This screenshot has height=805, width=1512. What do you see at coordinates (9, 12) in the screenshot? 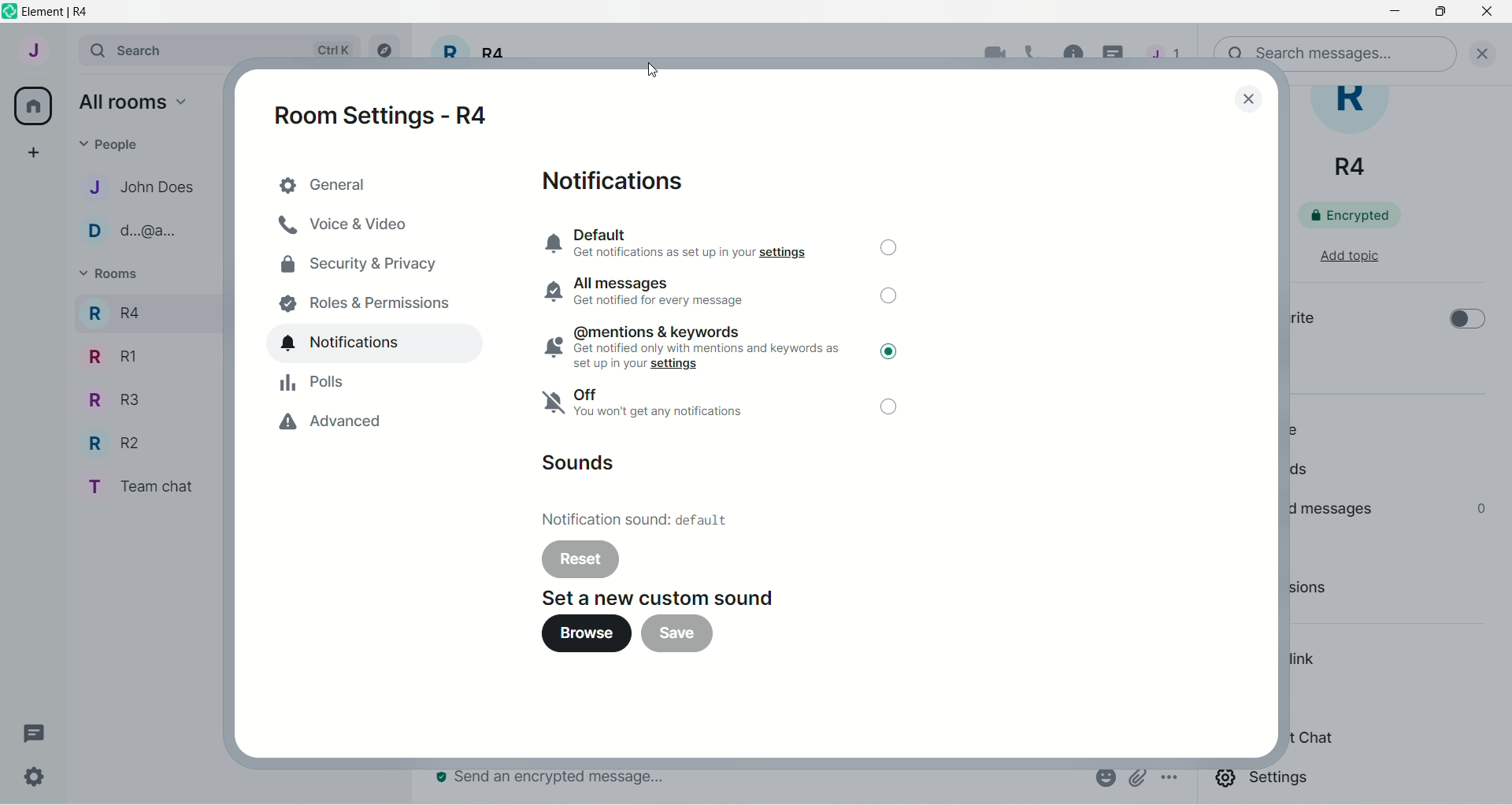
I see `logo` at bounding box center [9, 12].